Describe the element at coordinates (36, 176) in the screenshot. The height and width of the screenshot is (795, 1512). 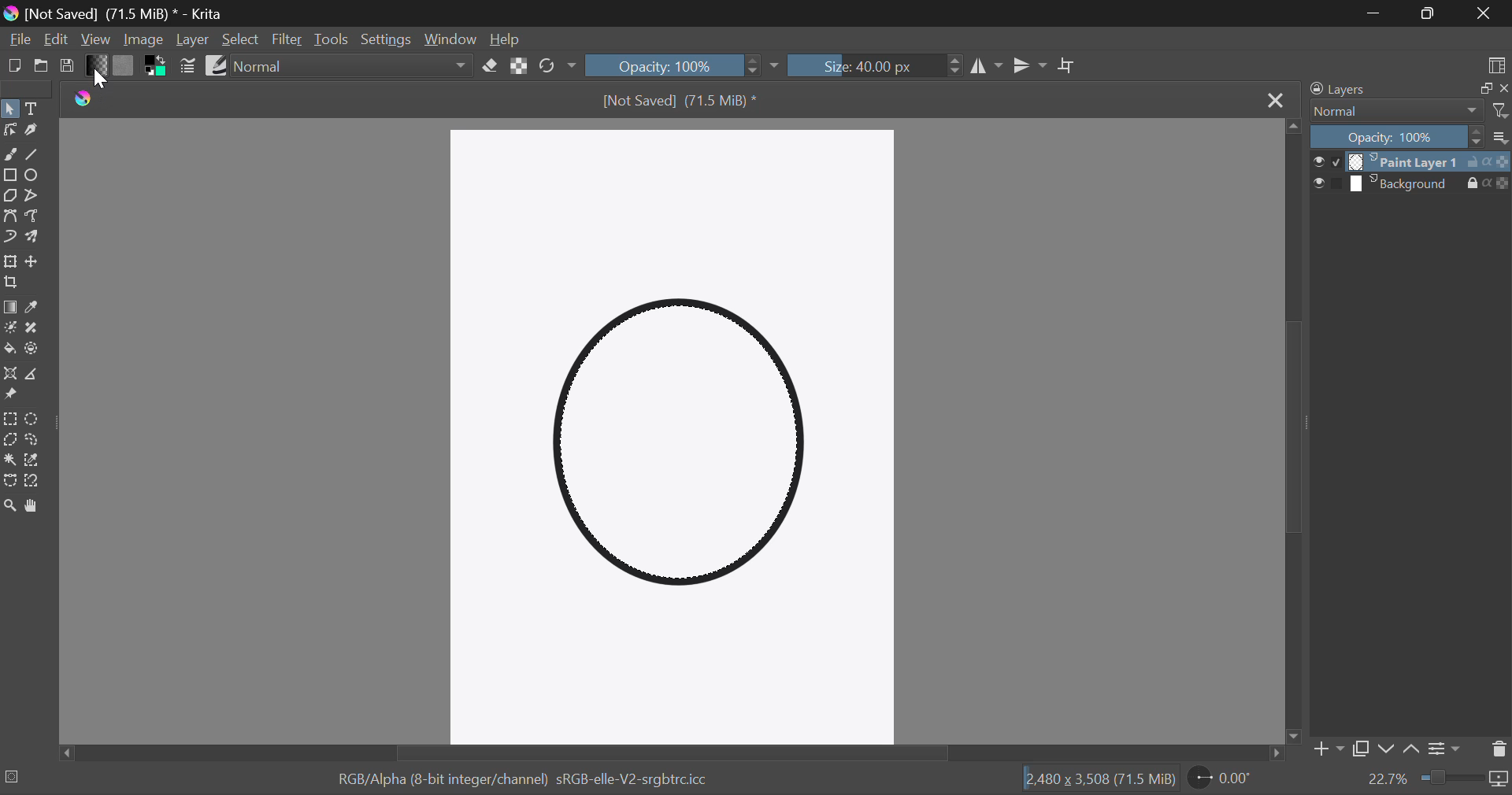
I see `Elipses` at that location.